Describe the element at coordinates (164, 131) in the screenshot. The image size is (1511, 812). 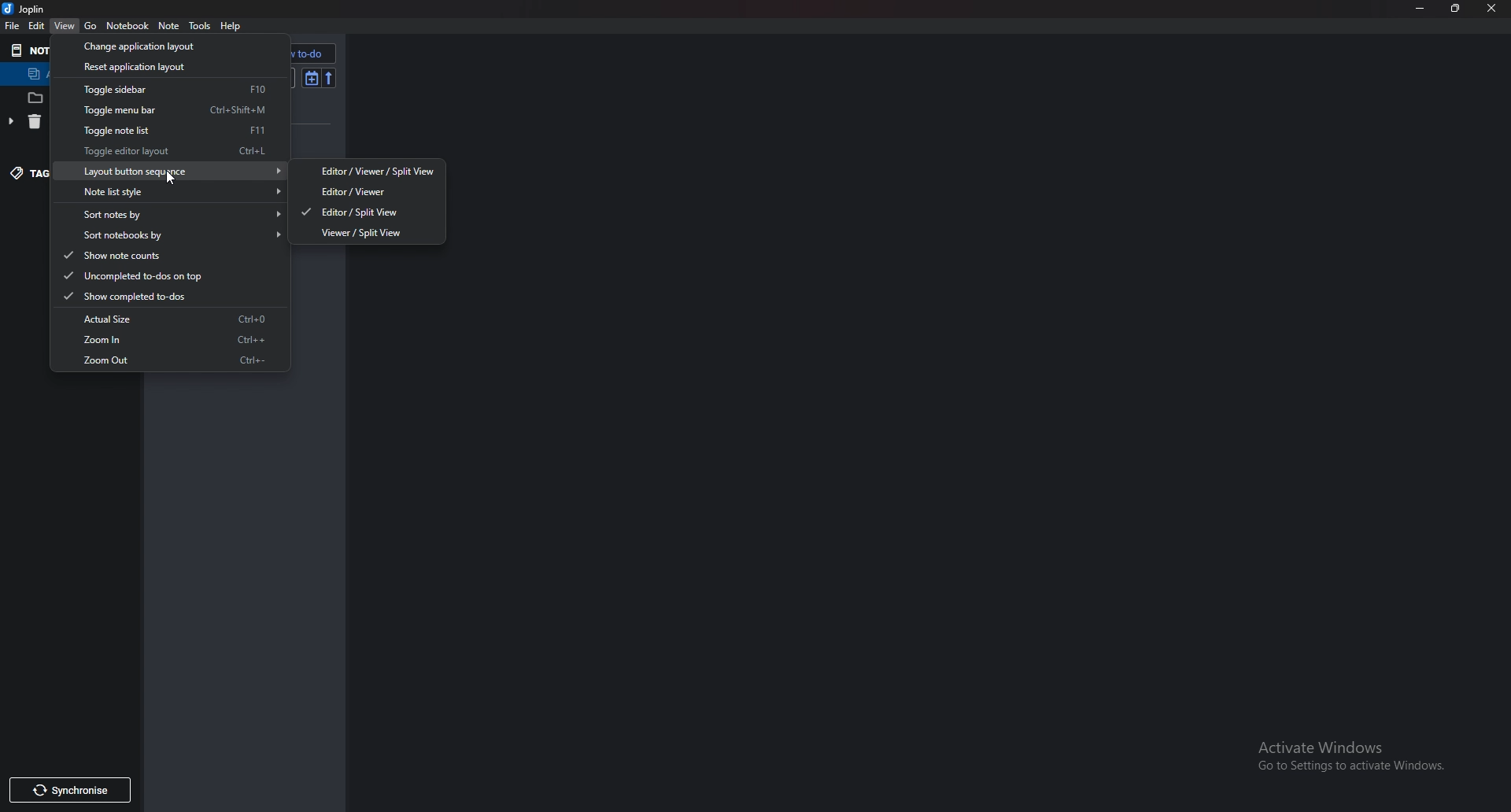
I see `Toggle note list Fl` at that location.